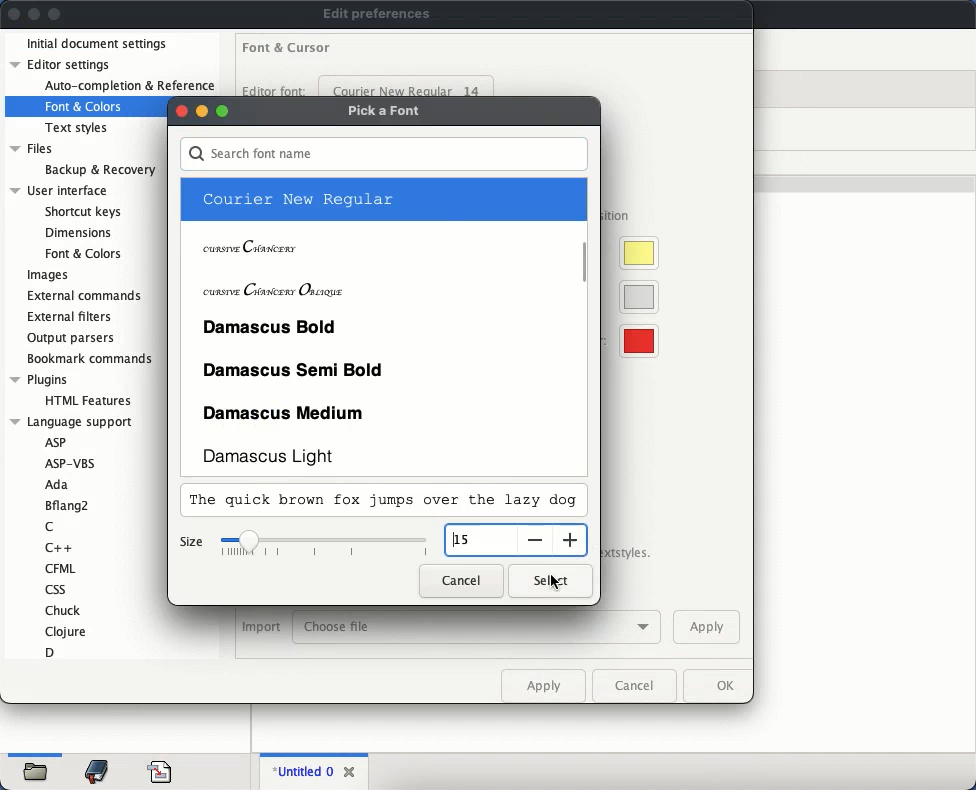 This screenshot has width=976, height=790. I want to click on maximize, so click(223, 111).